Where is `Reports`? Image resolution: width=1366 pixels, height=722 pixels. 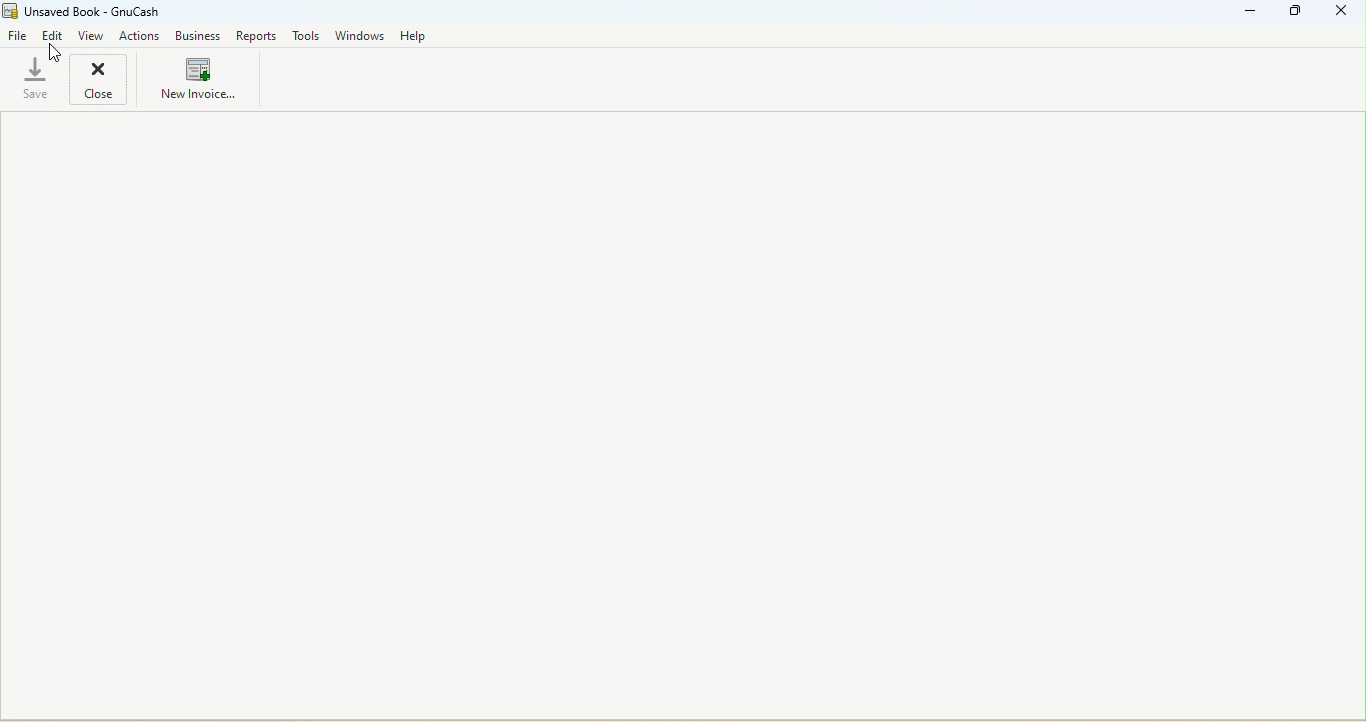 Reports is located at coordinates (256, 37).